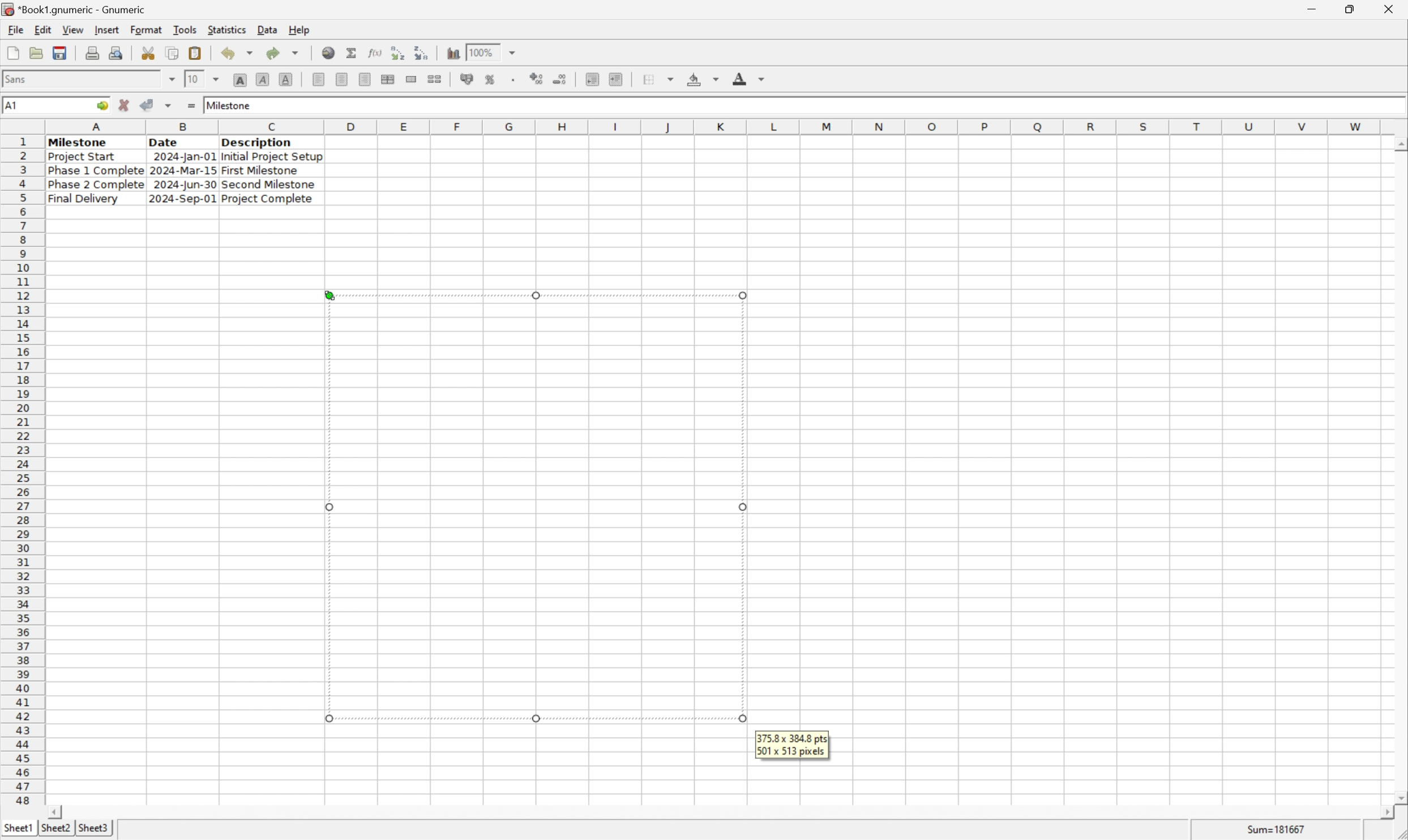  Describe the element at coordinates (1390, 7) in the screenshot. I see `close` at that location.